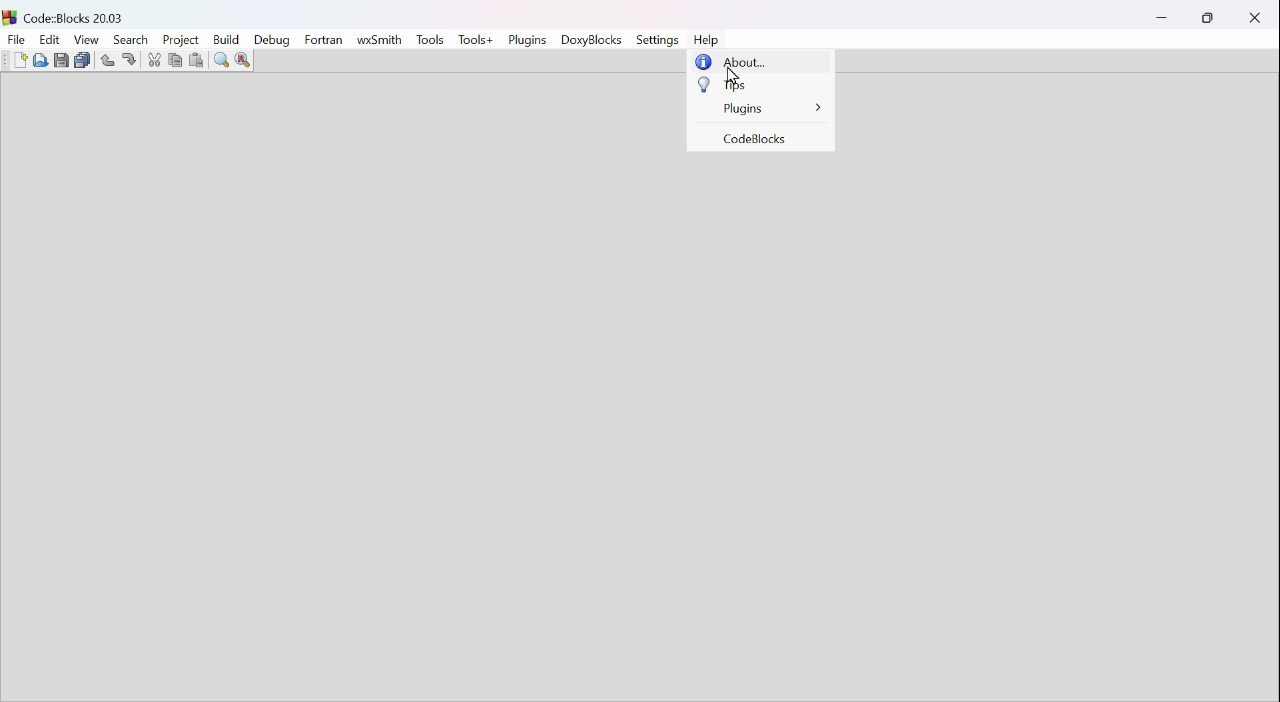 This screenshot has height=702, width=1280. Describe the element at coordinates (474, 40) in the screenshot. I see `Tools+` at that location.